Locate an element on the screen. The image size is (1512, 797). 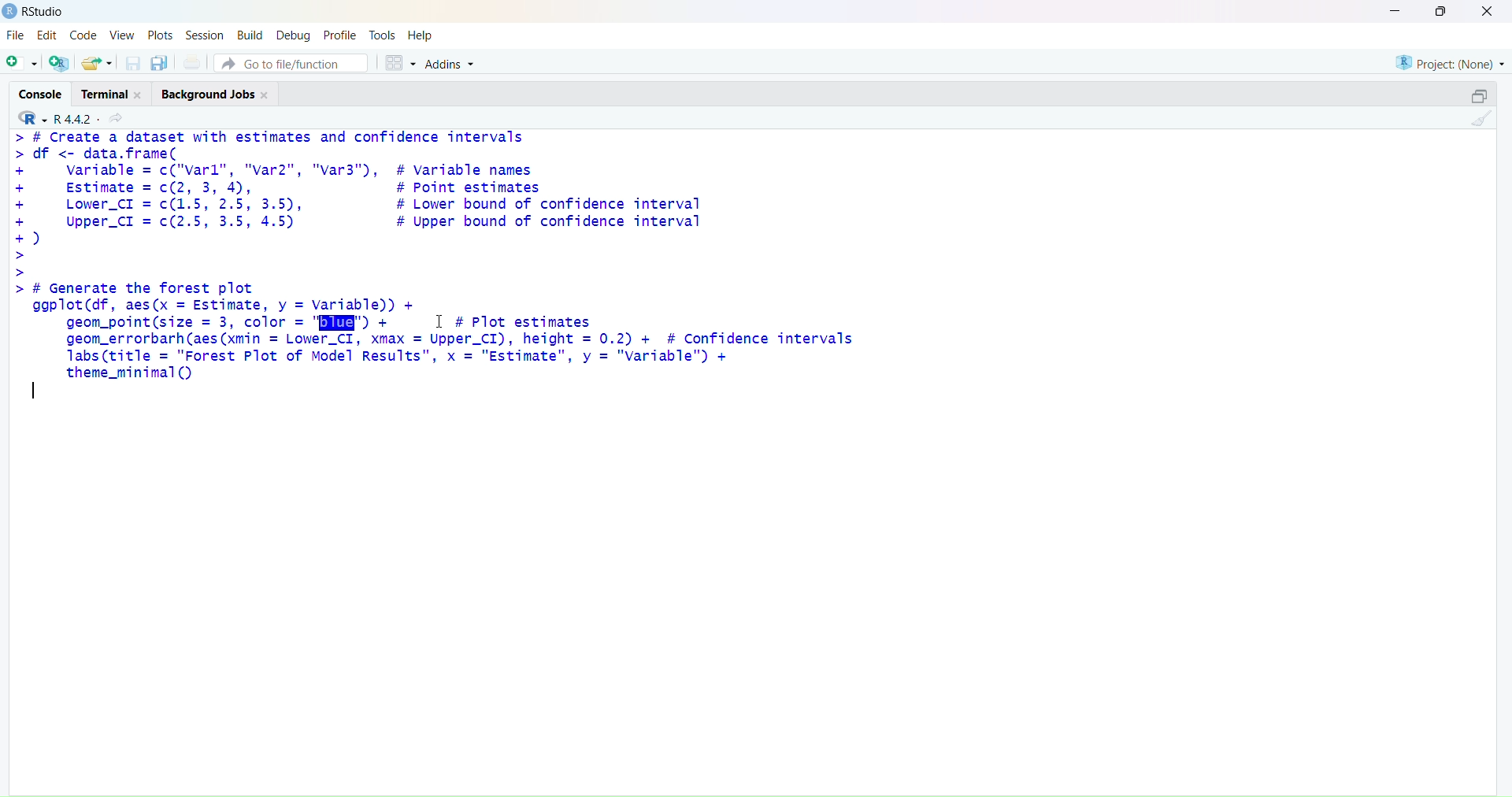
workspace panes is located at coordinates (399, 64).